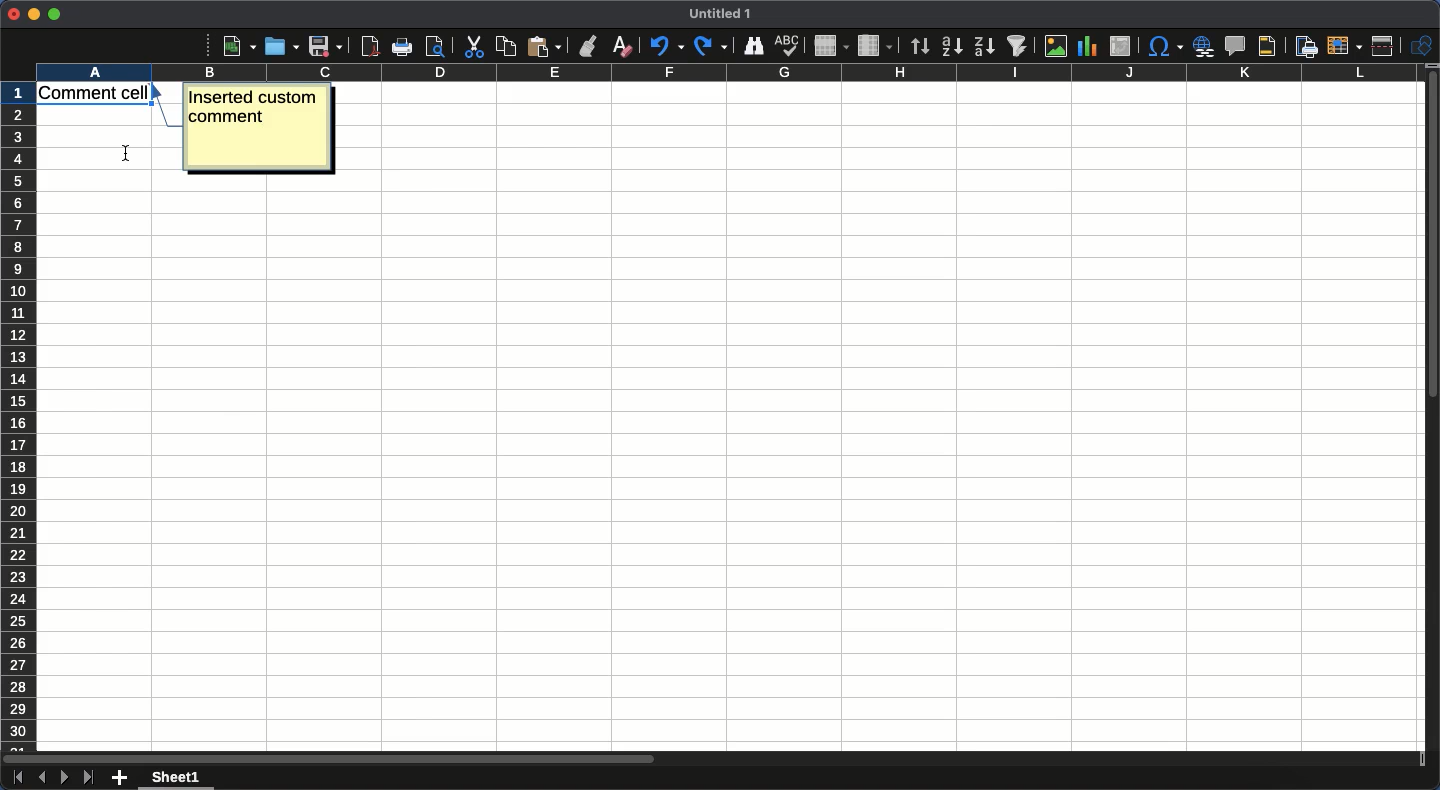 This screenshot has width=1440, height=790. What do you see at coordinates (65, 776) in the screenshot?
I see `Next sheet` at bounding box center [65, 776].